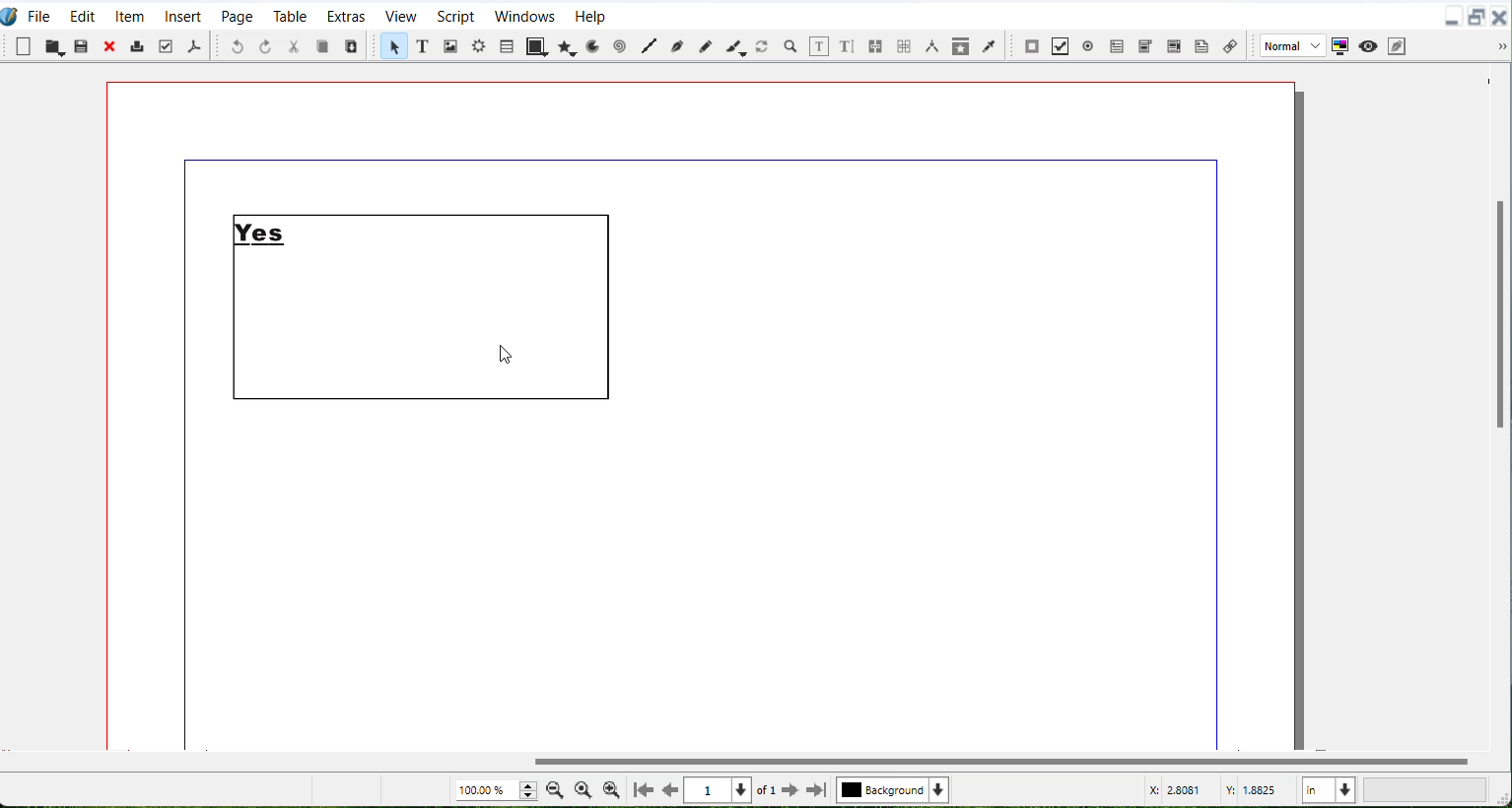  I want to click on right margin, so click(1218, 460).